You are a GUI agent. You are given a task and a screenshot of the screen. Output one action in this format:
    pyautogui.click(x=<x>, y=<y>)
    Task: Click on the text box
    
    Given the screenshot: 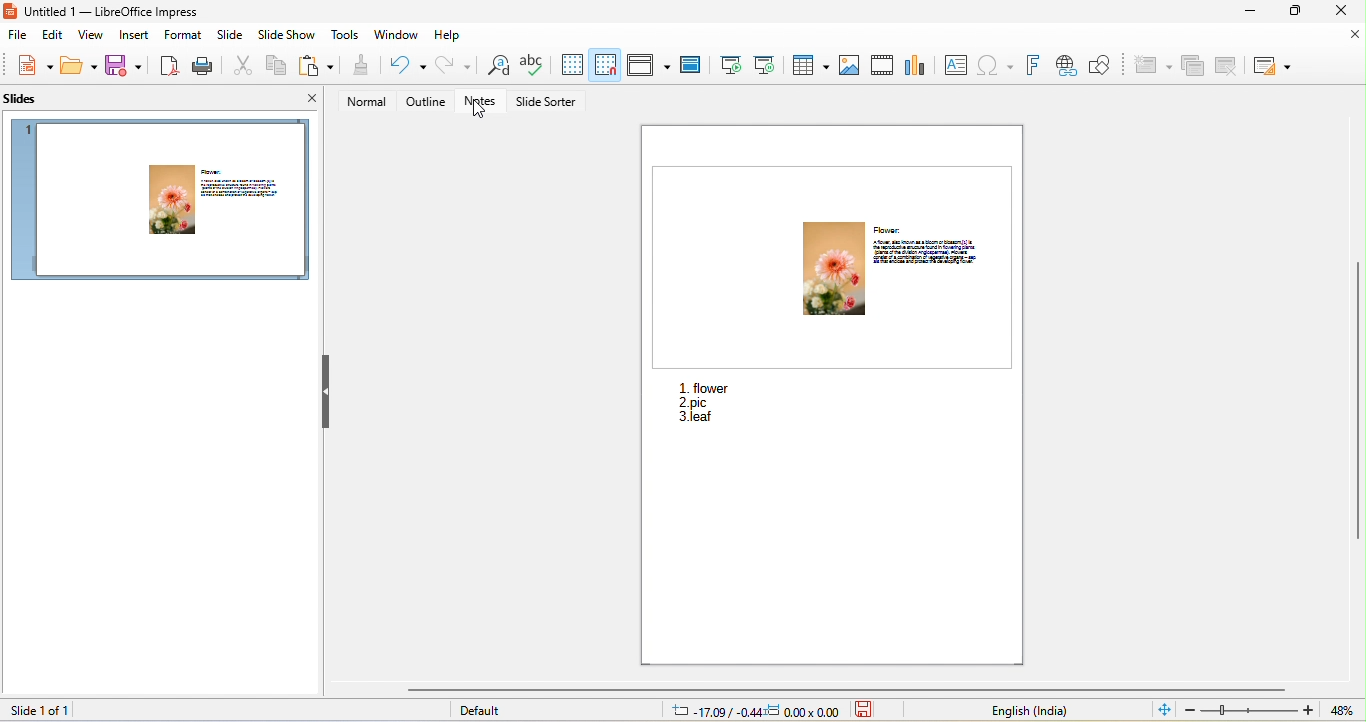 What is the action you would take?
    pyautogui.click(x=954, y=64)
    